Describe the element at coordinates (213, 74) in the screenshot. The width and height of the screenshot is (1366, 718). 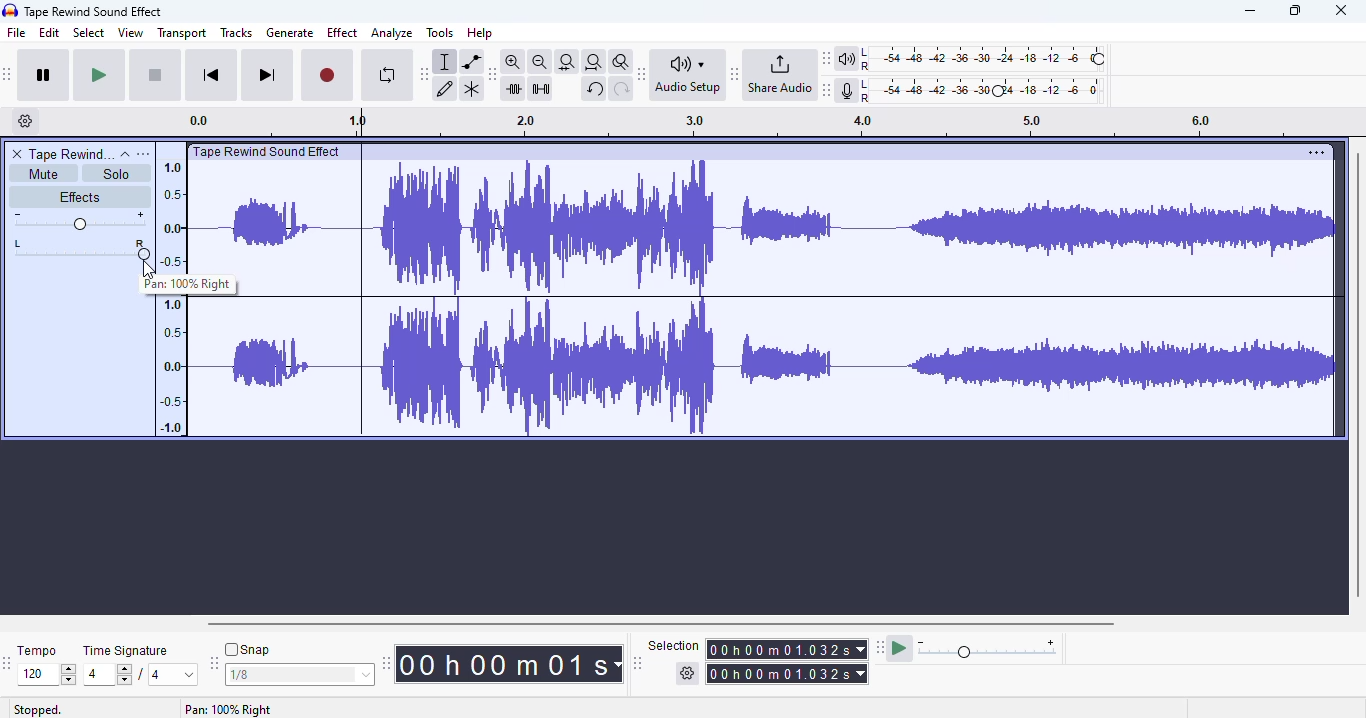
I see `skip to start` at that location.